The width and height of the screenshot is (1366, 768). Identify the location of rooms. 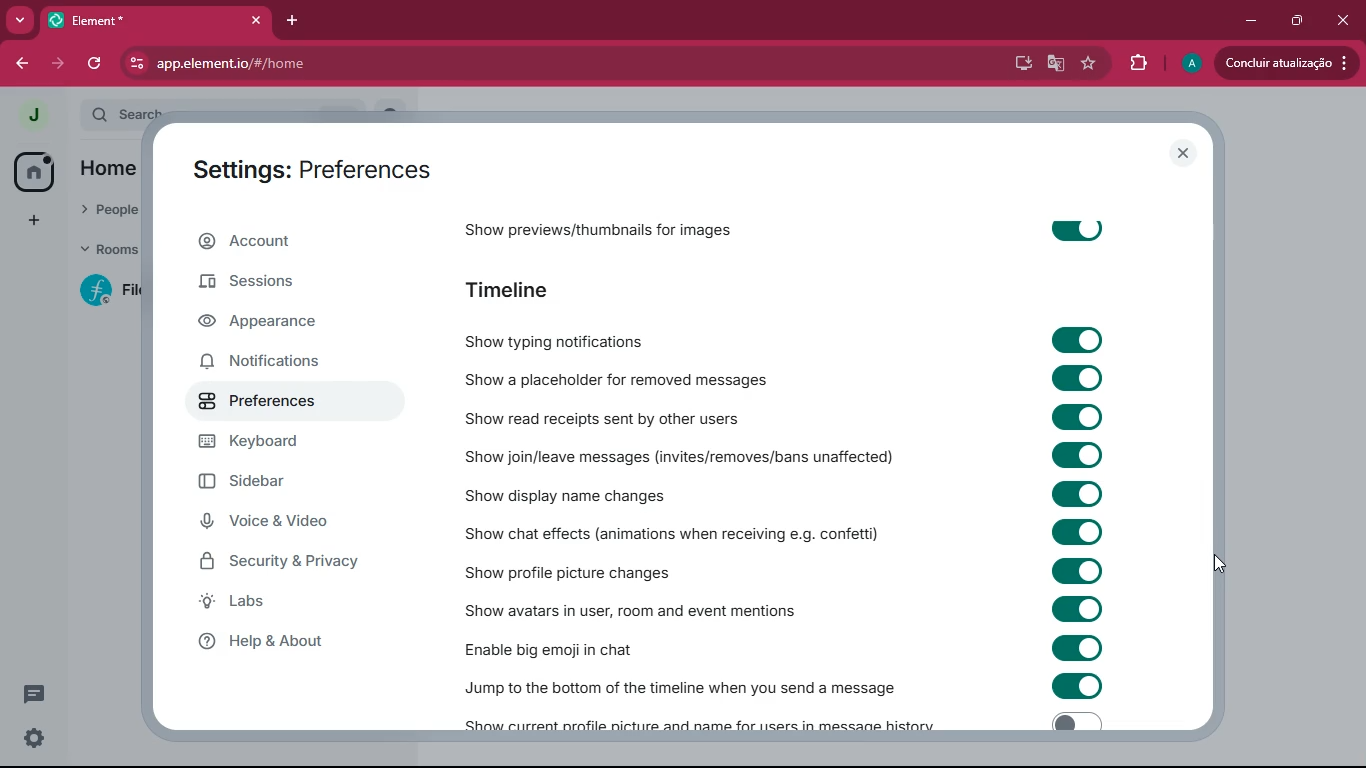
(108, 250).